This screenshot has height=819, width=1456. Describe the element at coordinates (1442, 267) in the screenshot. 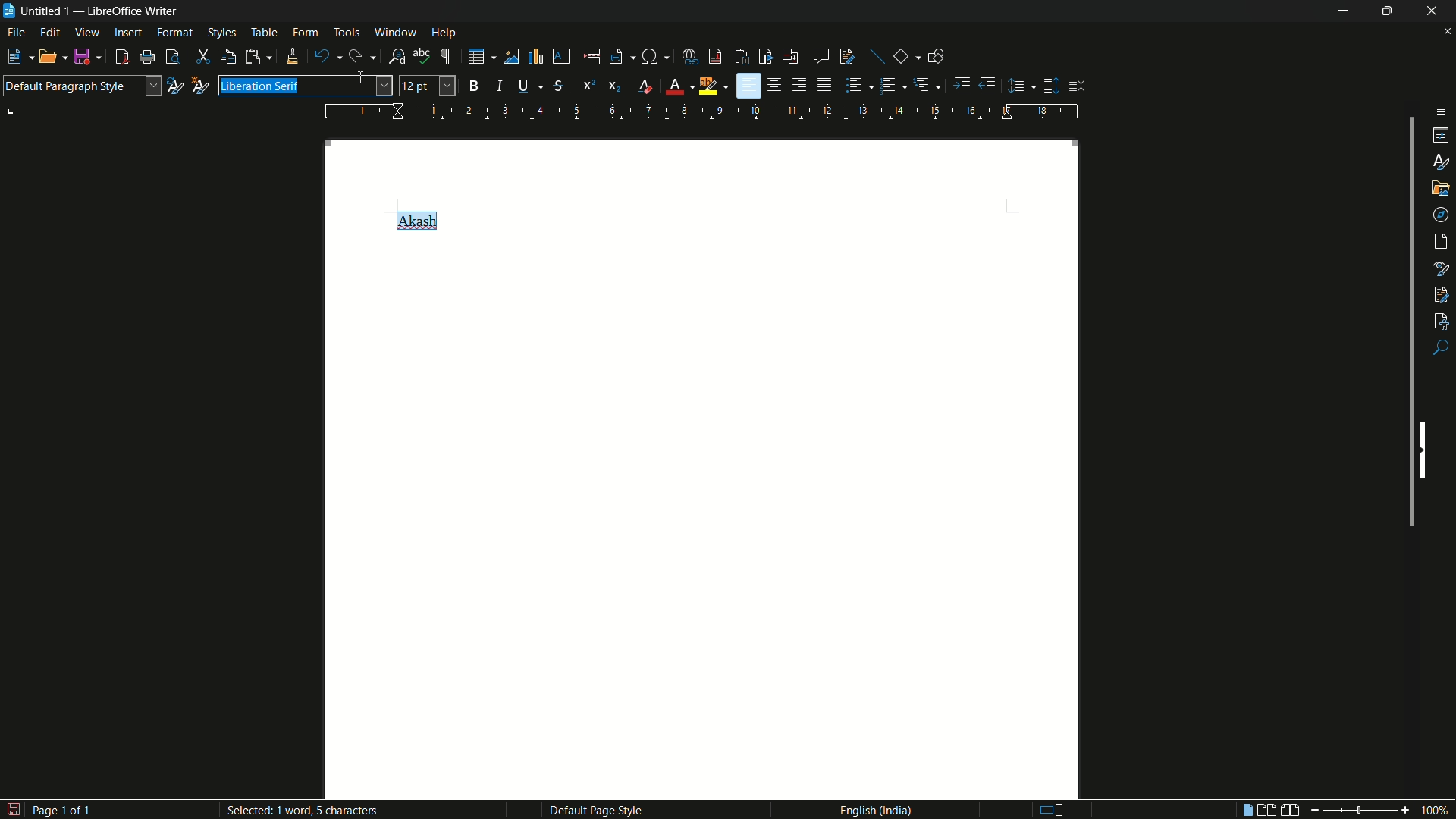

I see `style inspector` at that location.